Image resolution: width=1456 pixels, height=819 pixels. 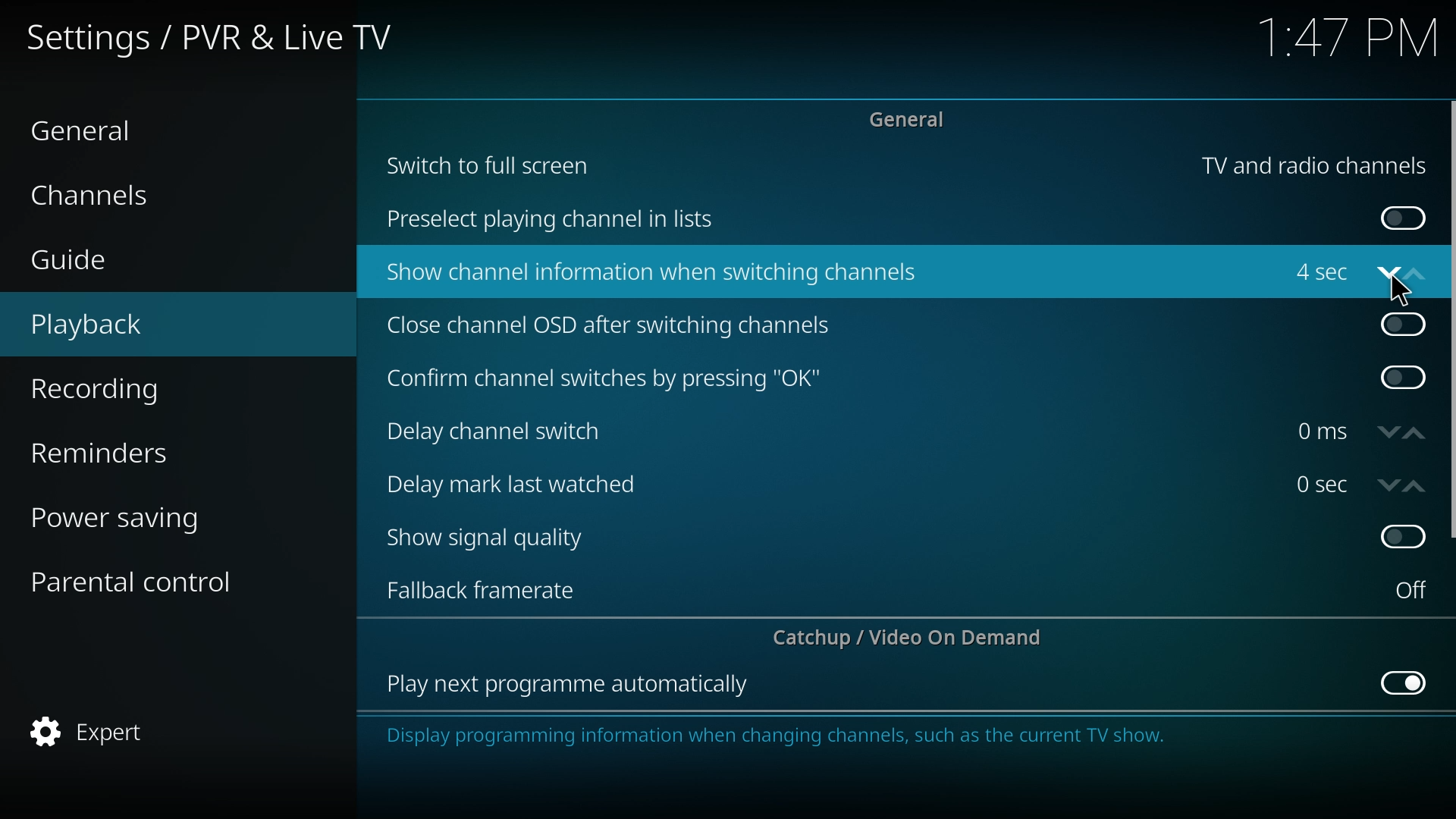 I want to click on delay mark last watched, so click(x=519, y=482).